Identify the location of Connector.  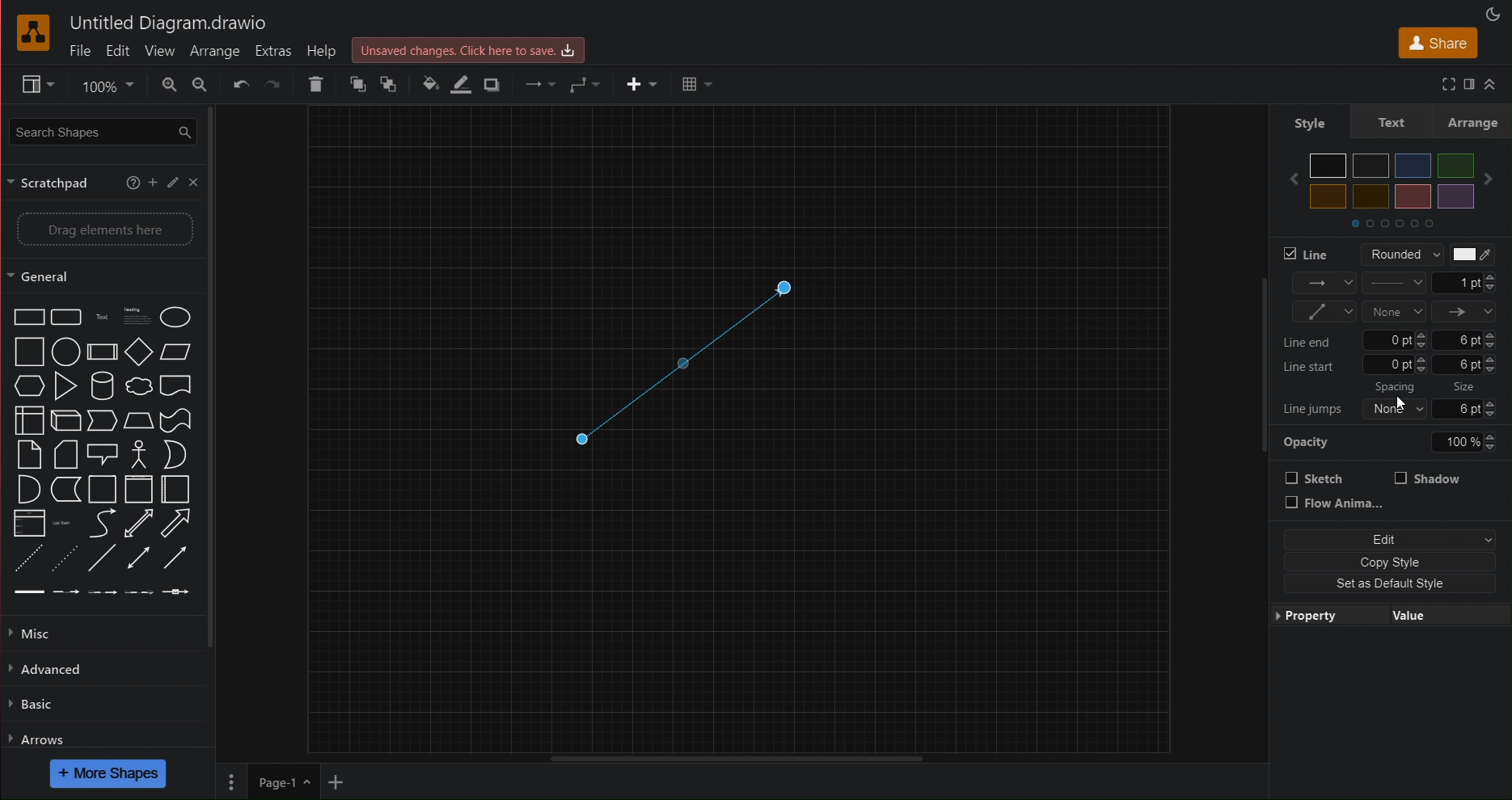
(585, 85).